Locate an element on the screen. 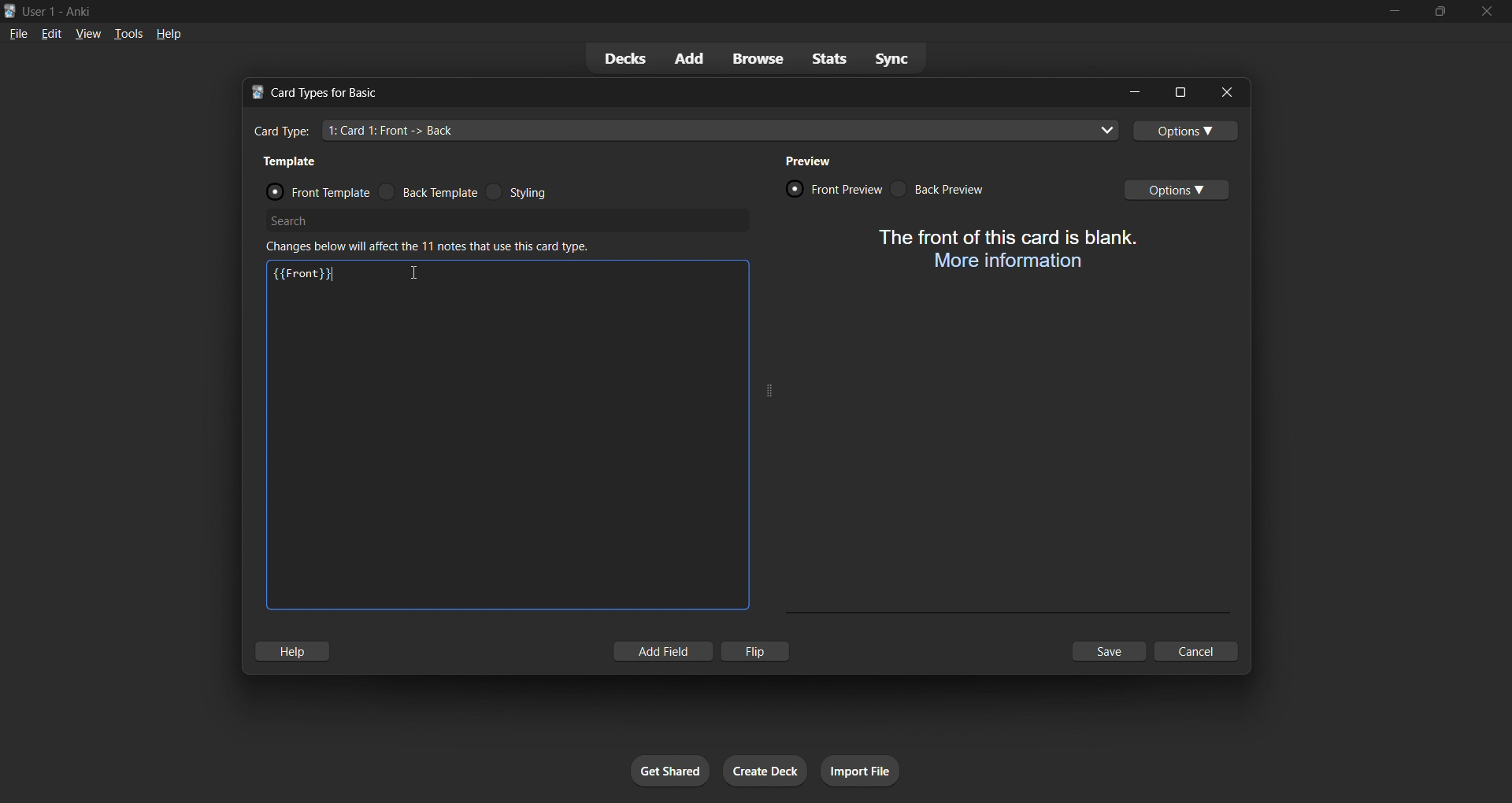 The height and width of the screenshot is (803, 1512). front template is located at coordinates (310, 187).